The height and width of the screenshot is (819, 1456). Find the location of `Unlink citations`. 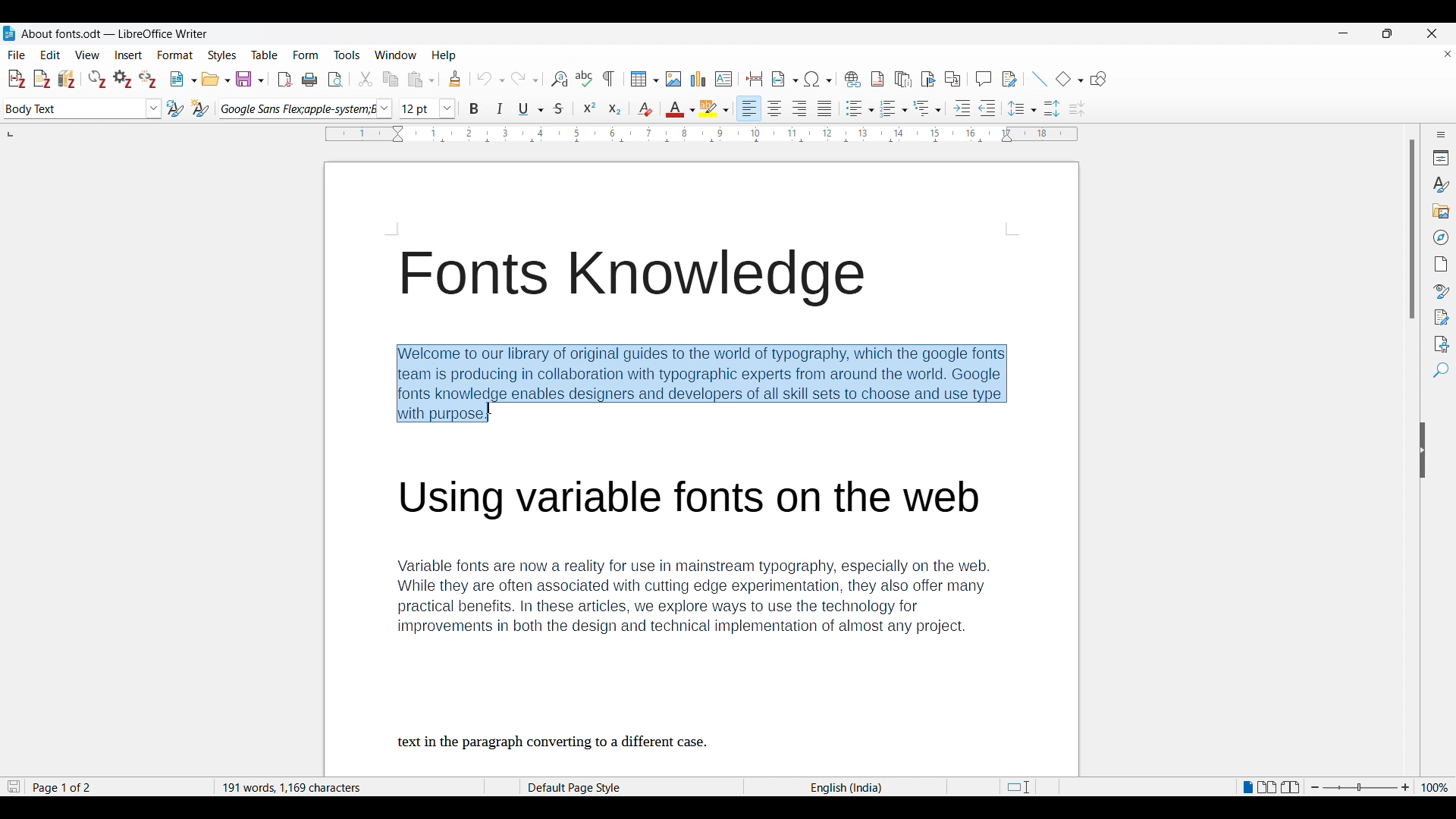

Unlink citations is located at coordinates (148, 79).